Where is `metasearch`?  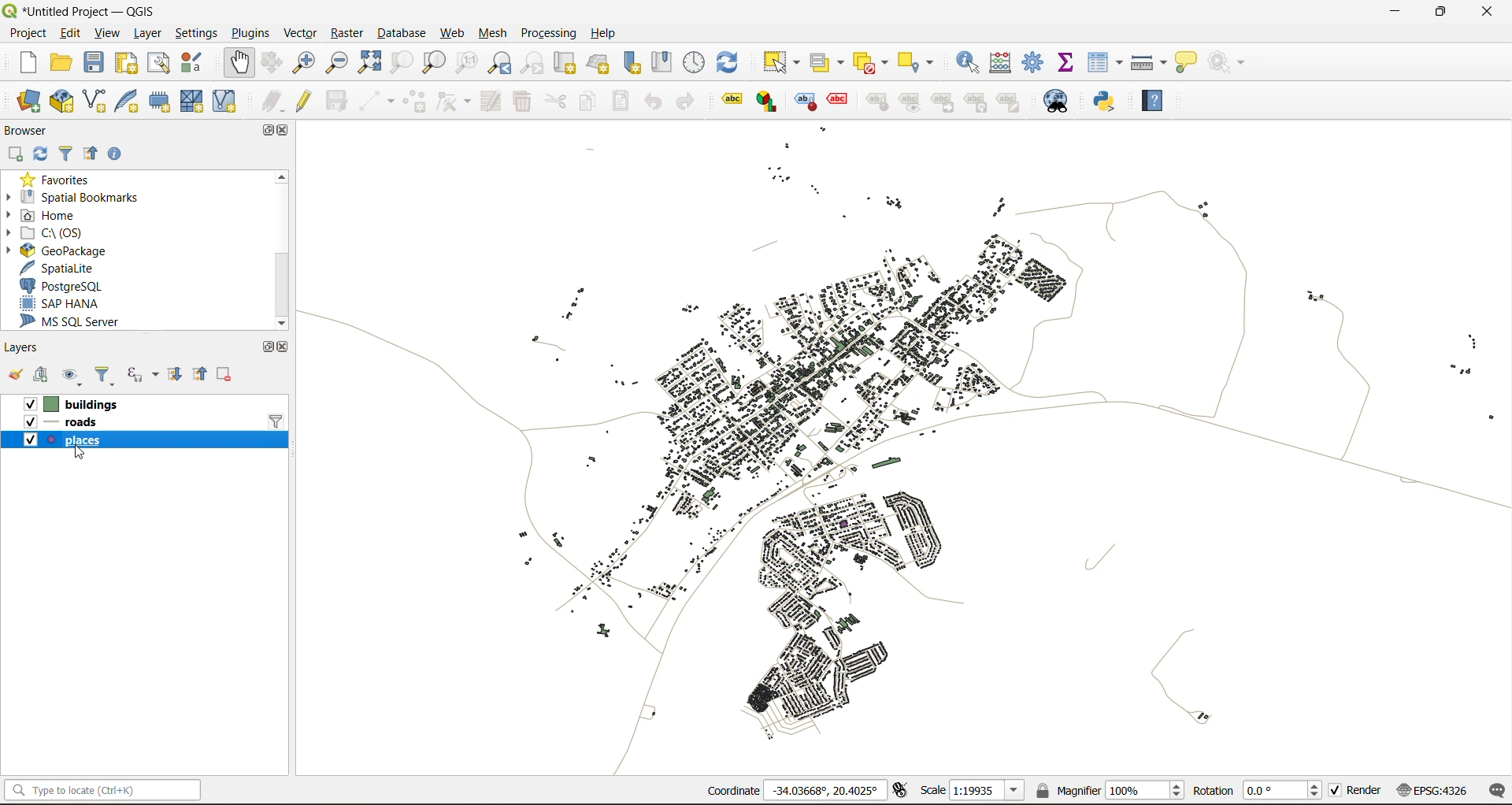 metasearch is located at coordinates (1058, 102).